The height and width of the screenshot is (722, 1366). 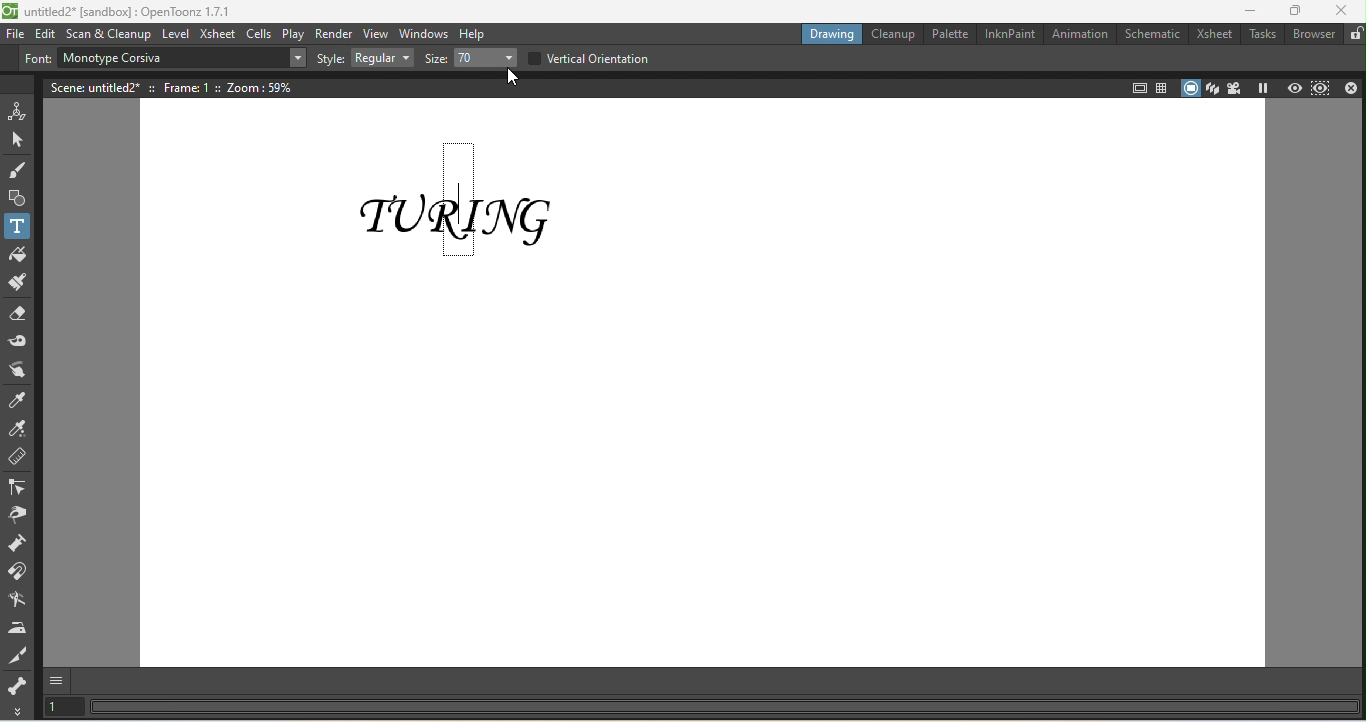 I want to click on Tasks, so click(x=1260, y=35).